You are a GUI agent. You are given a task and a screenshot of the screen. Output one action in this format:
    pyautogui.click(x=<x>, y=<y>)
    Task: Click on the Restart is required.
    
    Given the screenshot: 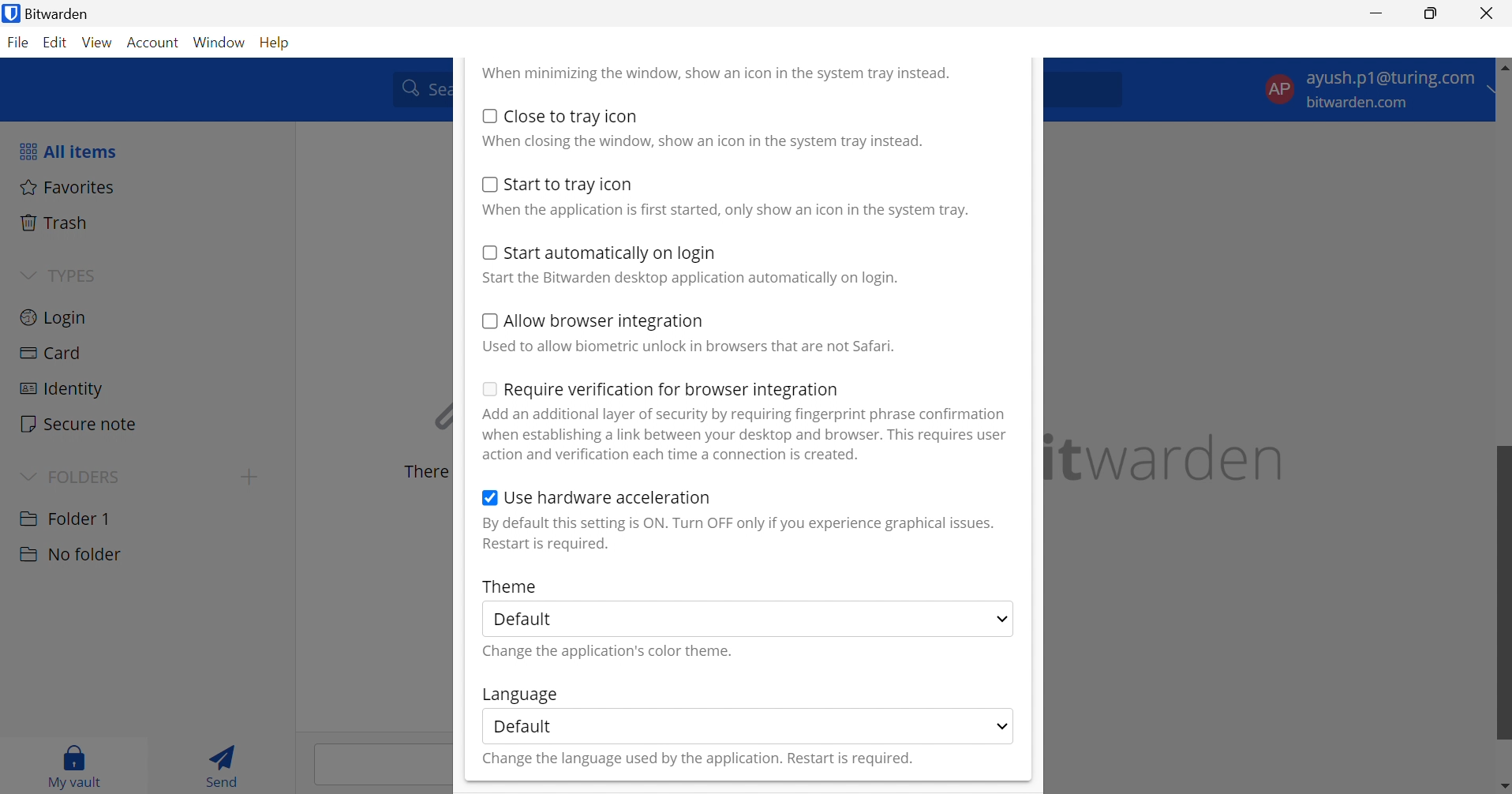 What is the action you would take?
    pyautogui.click(x=548, y=545)
    